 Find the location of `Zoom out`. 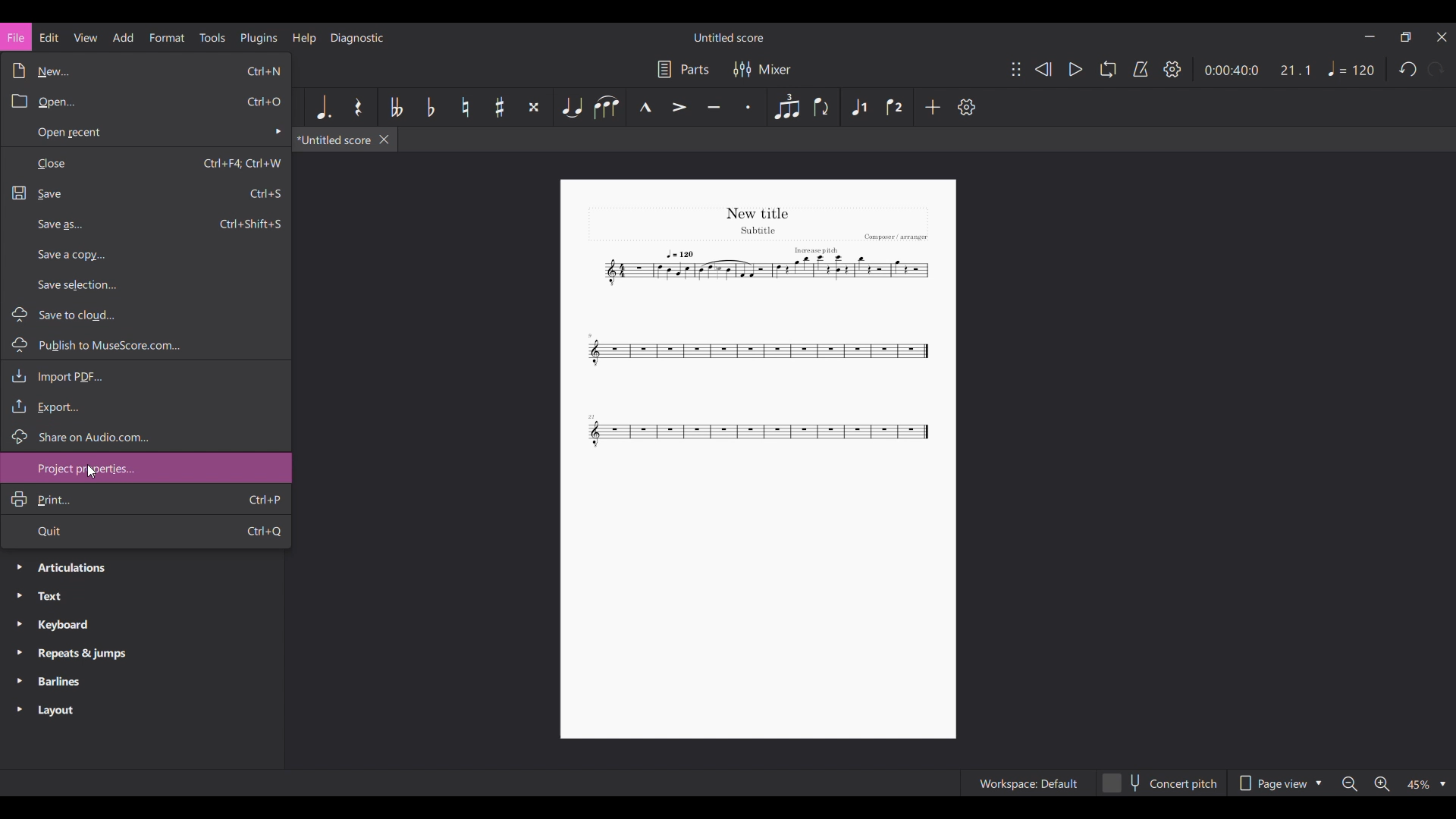

Zoom out is located at coordinates (1349, 784).